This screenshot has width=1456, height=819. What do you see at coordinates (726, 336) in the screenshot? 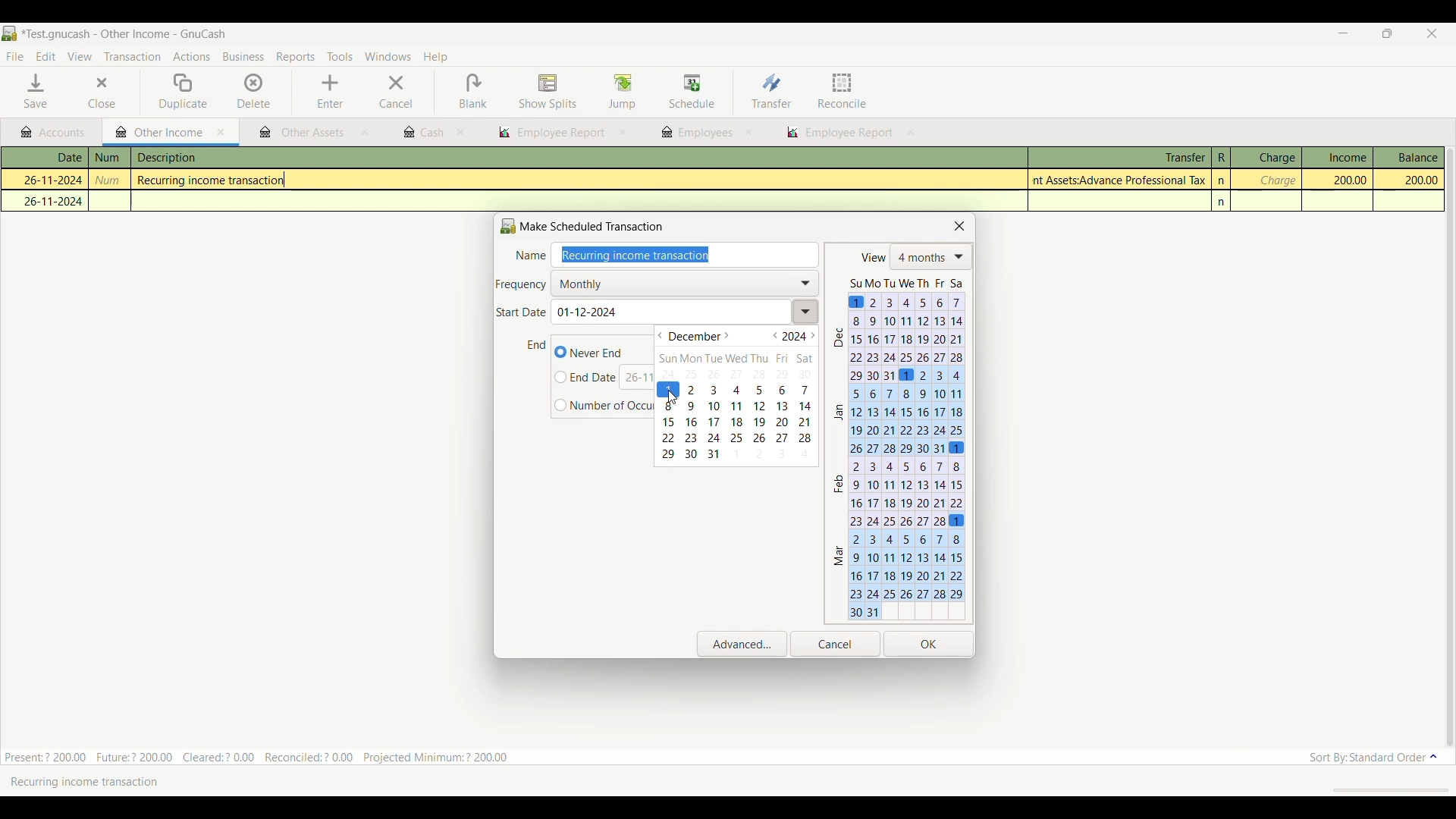
I see `Go to next month` at bounding box center [726, 336].